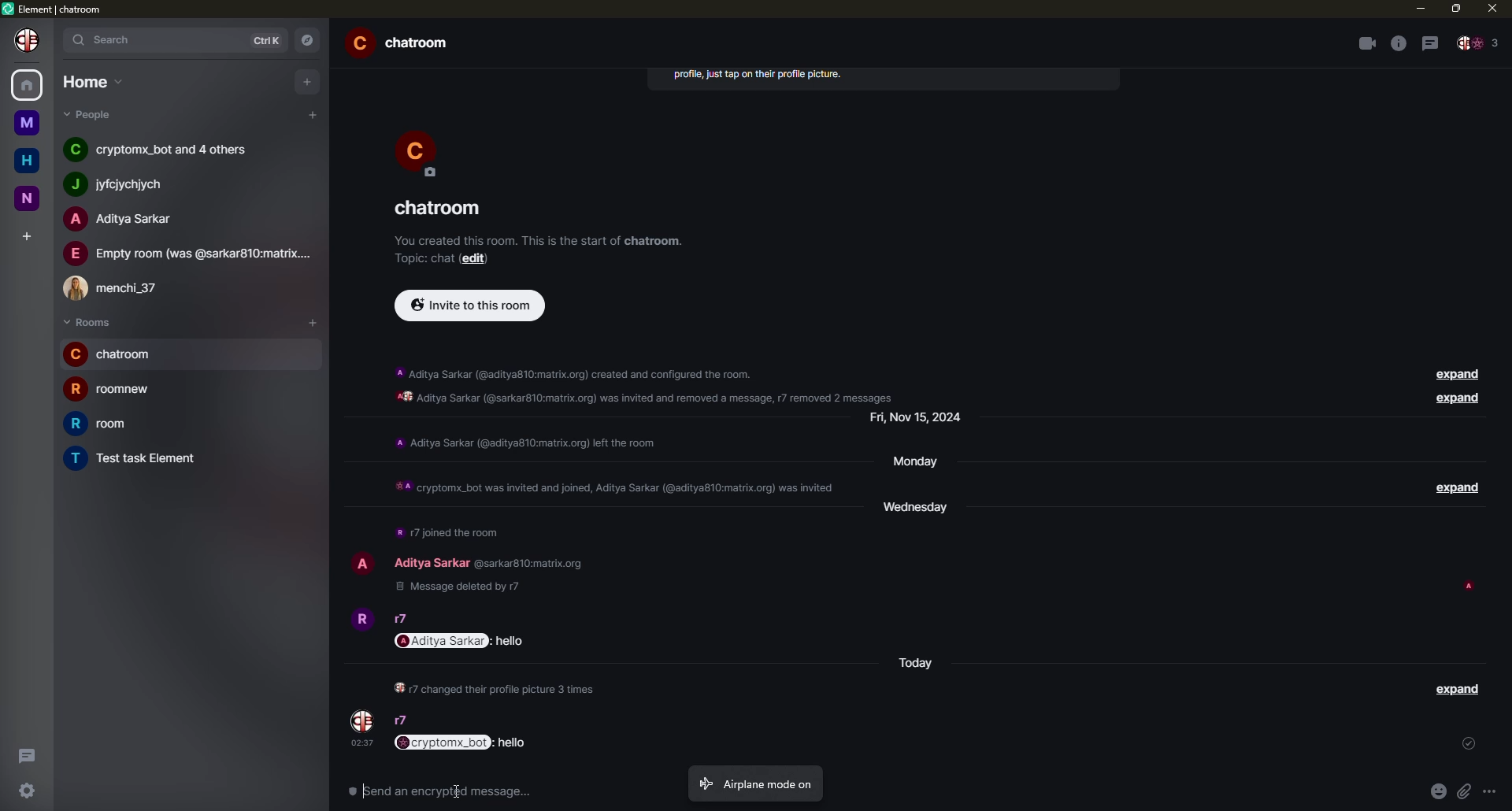  What do you see at coordinates (1458, 400) in the screenshot?
I see `expand` at bounding box center [1458, 400].